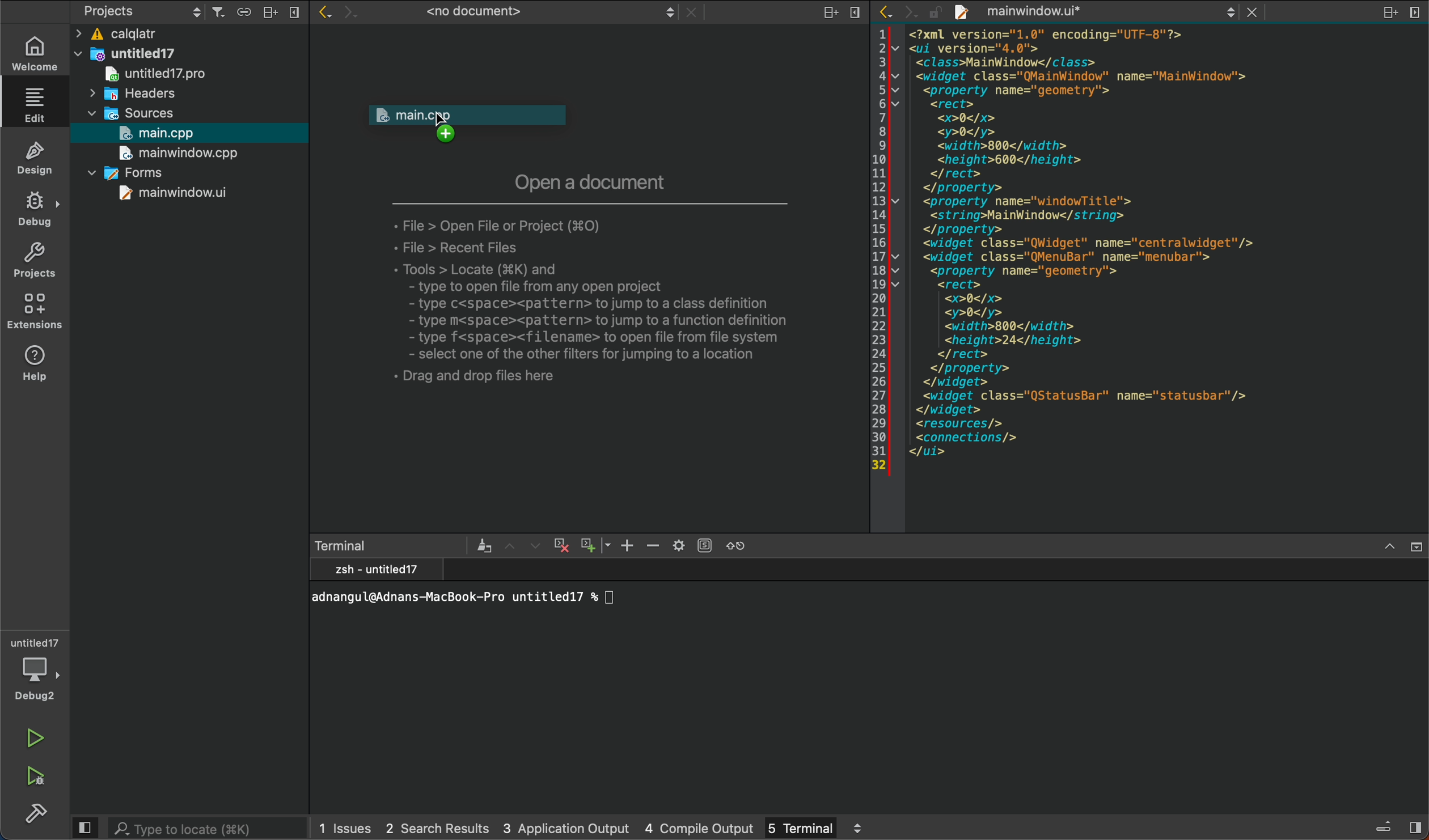 Image resolution: width=1429 pixels, height=840 pixels. What do you see at coordinates (38, 105) in the screenshot?
I see `editor` at bounding box center [38, 105].